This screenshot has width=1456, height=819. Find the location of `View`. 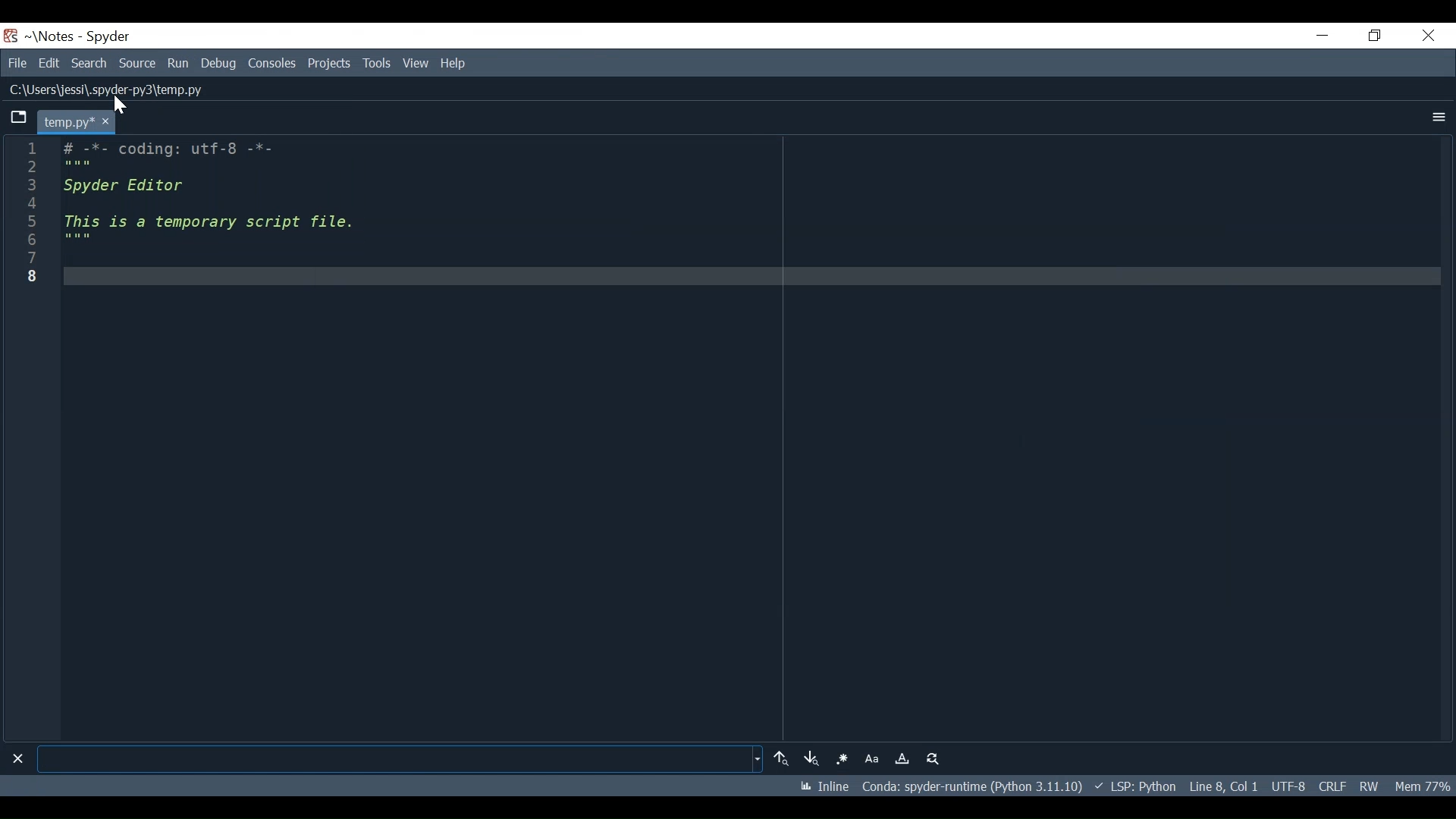

View is located at coordinates (415, 62).